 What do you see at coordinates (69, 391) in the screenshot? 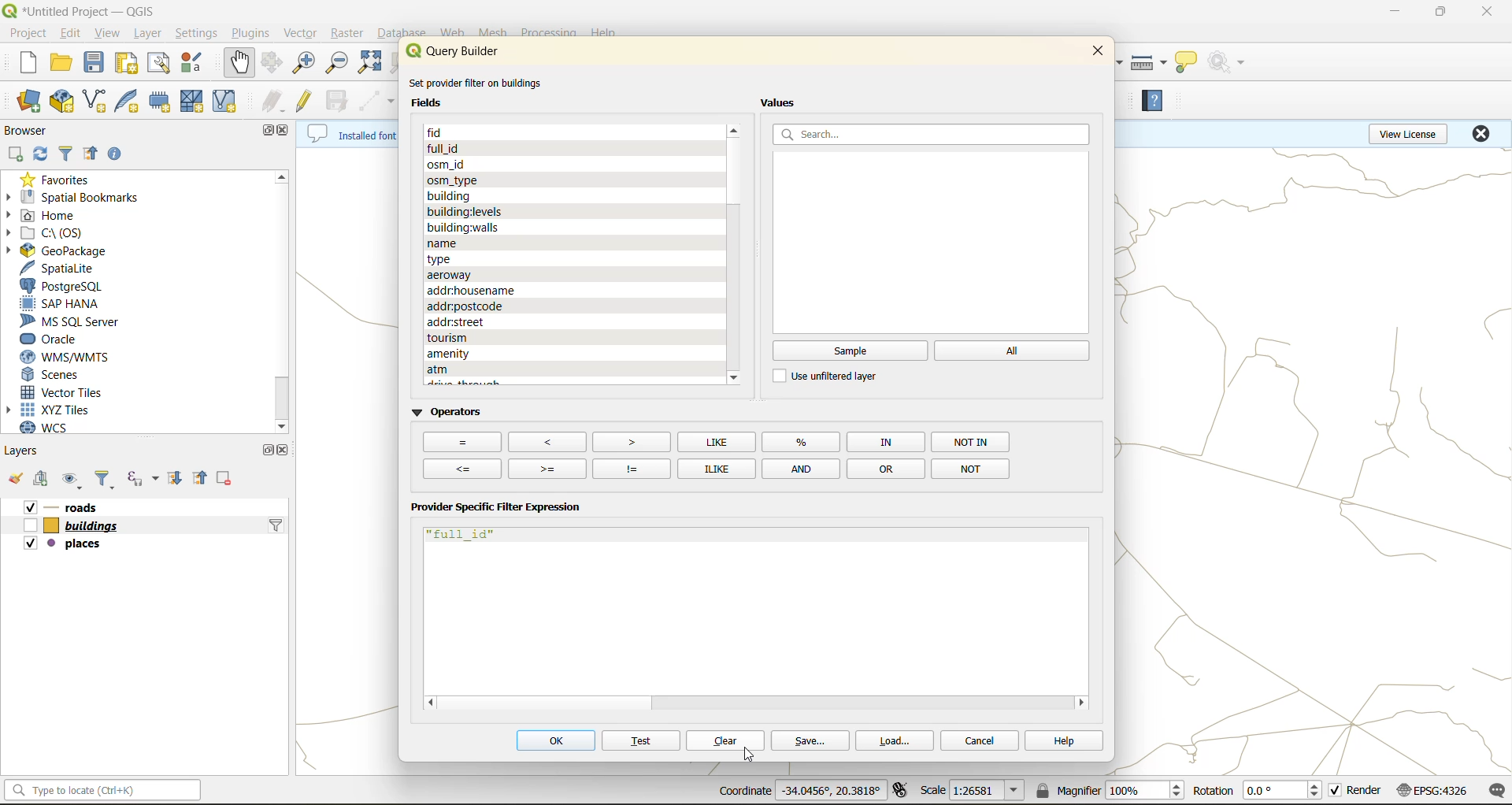
I see `vector tiles` at bounding box center [69, 391].